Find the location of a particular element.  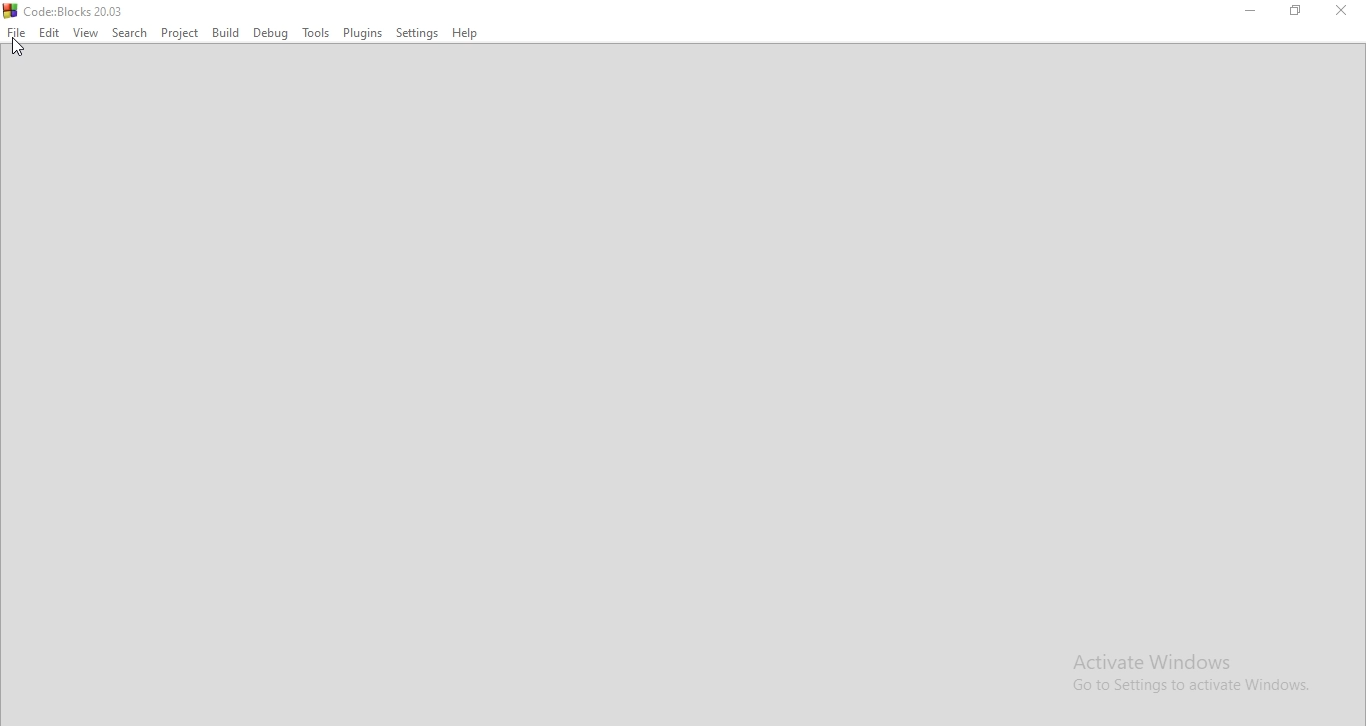

File is located at coordinates (17, 32).